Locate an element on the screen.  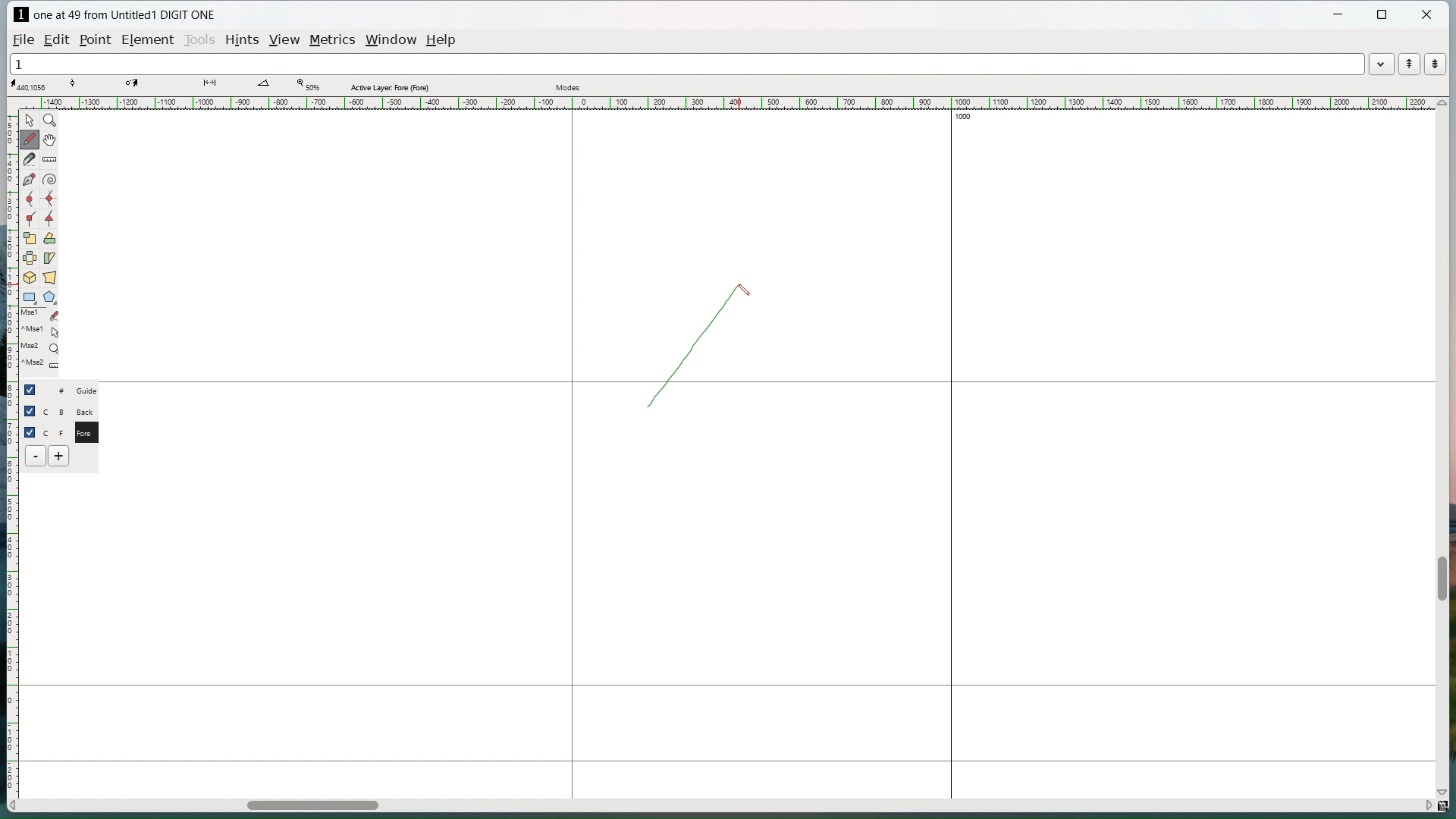
show the next word in the word list is located at coordinates (1436, 64).